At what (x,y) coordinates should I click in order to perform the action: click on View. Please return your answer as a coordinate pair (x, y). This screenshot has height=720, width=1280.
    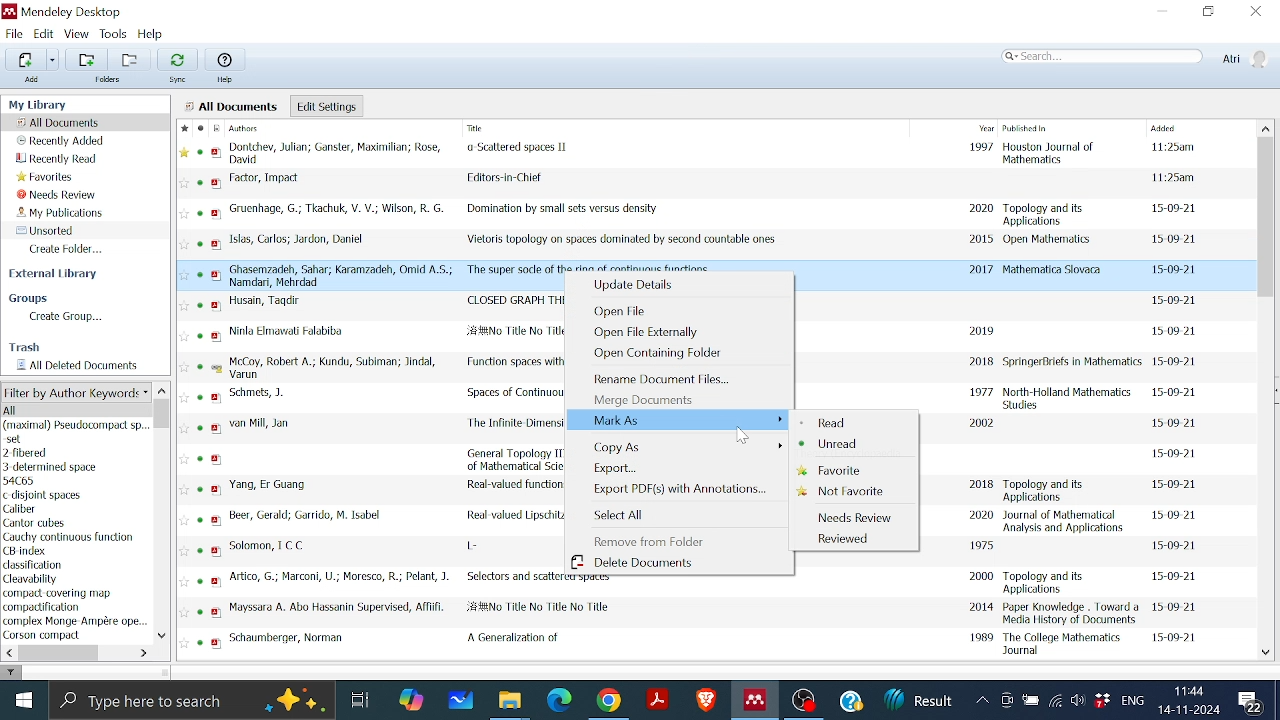
    Looking at the image, I should click on (76, 34).